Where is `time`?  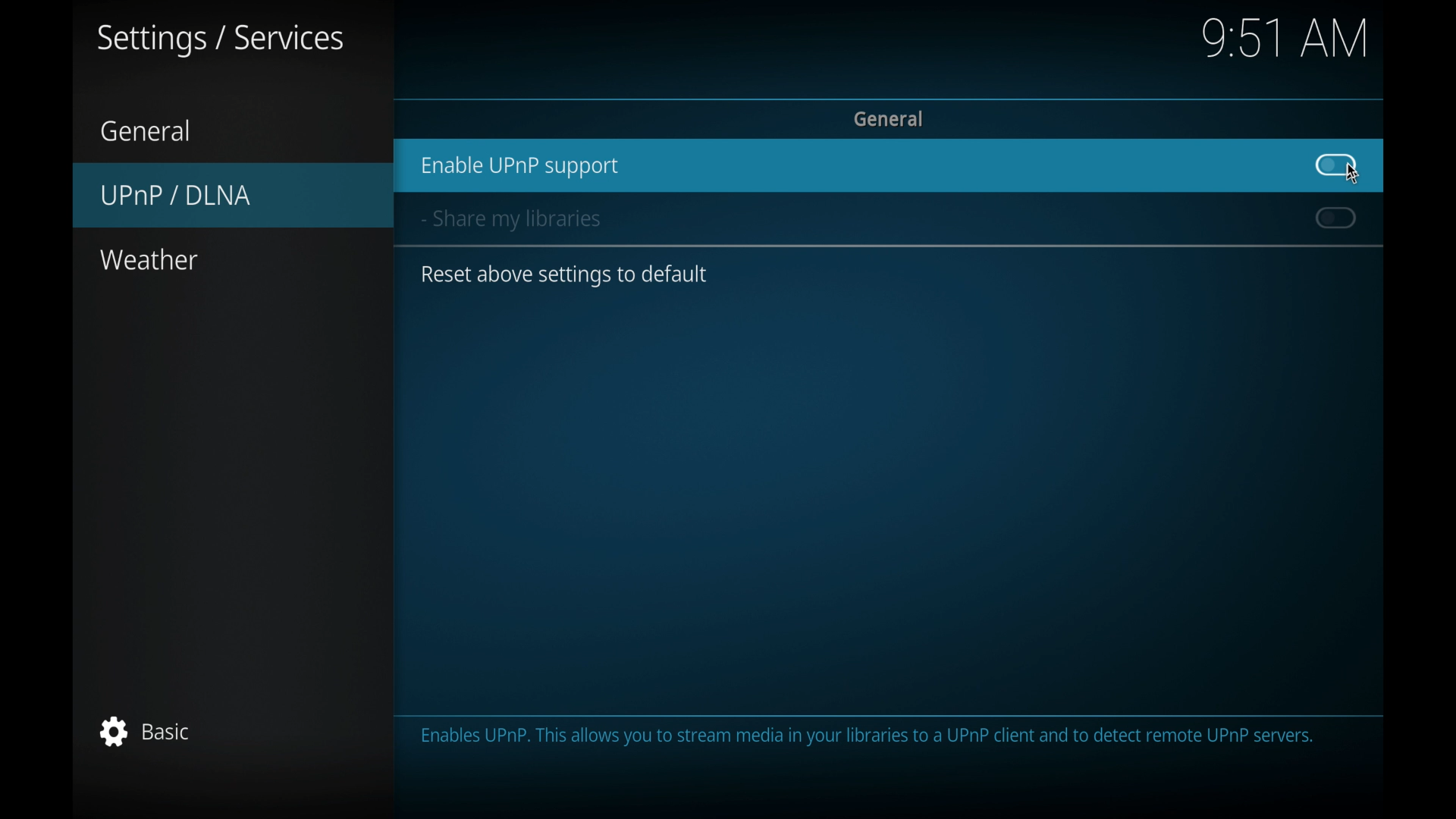 time is located at coordinates (1285, 39).